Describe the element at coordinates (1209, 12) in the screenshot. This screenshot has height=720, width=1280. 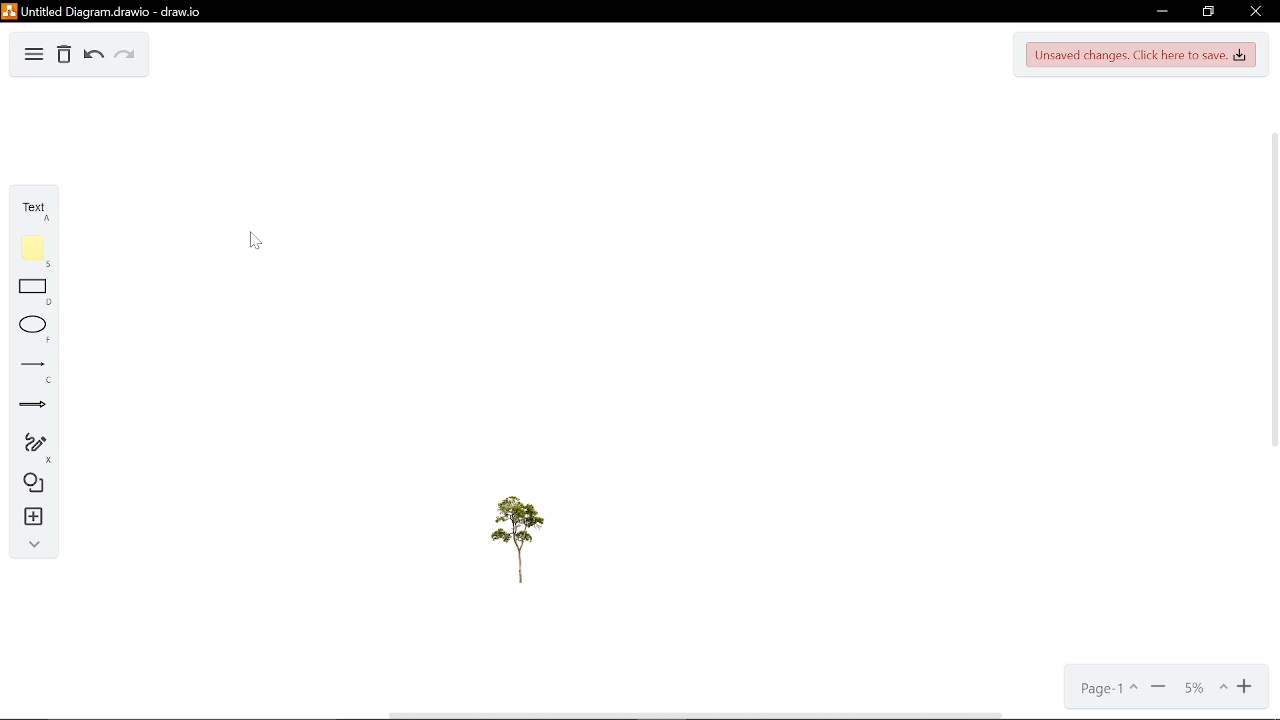
I see `restore down` at that location.